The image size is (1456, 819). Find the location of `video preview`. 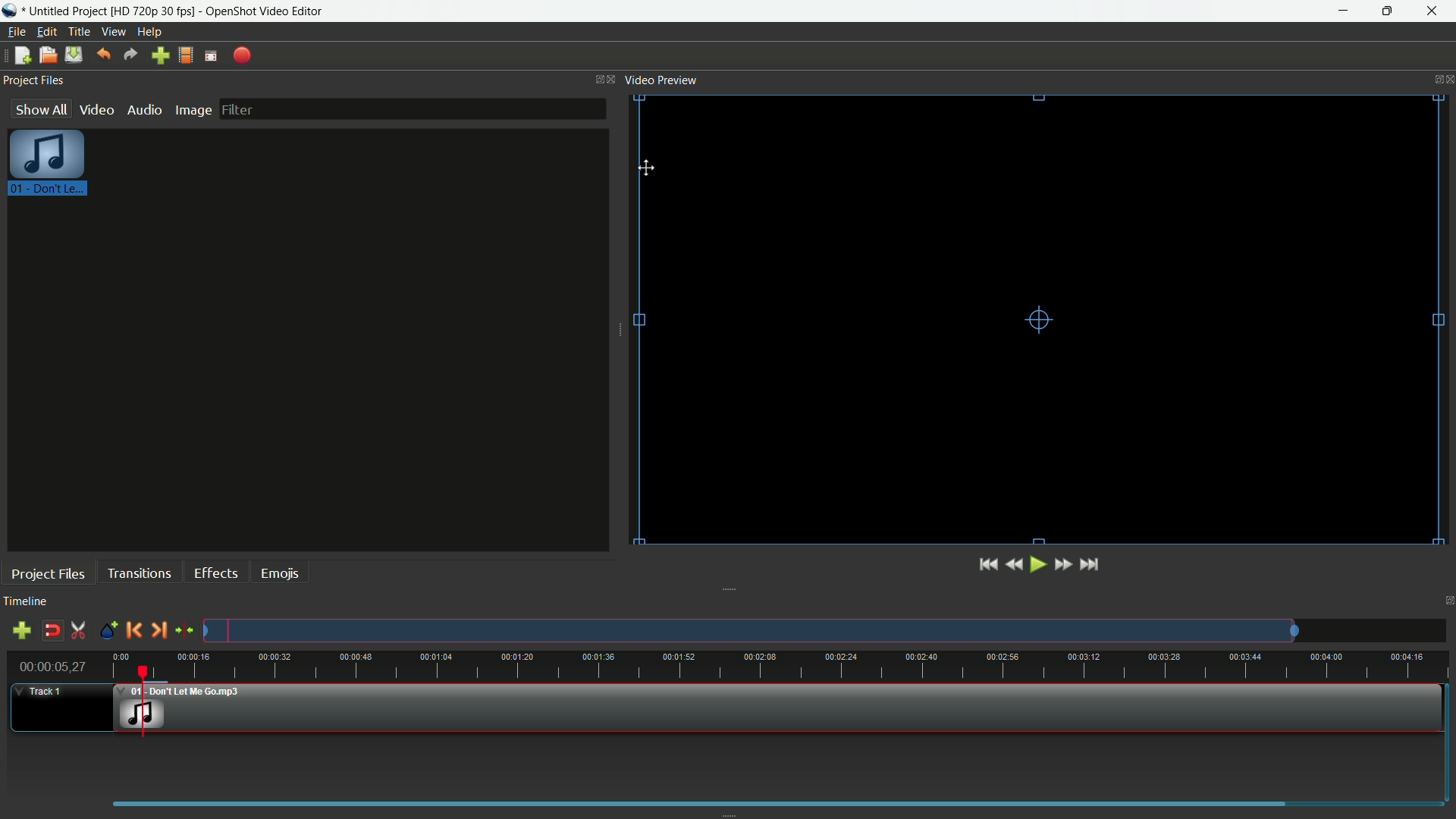

video preview is located at coordinates (1028, 322).